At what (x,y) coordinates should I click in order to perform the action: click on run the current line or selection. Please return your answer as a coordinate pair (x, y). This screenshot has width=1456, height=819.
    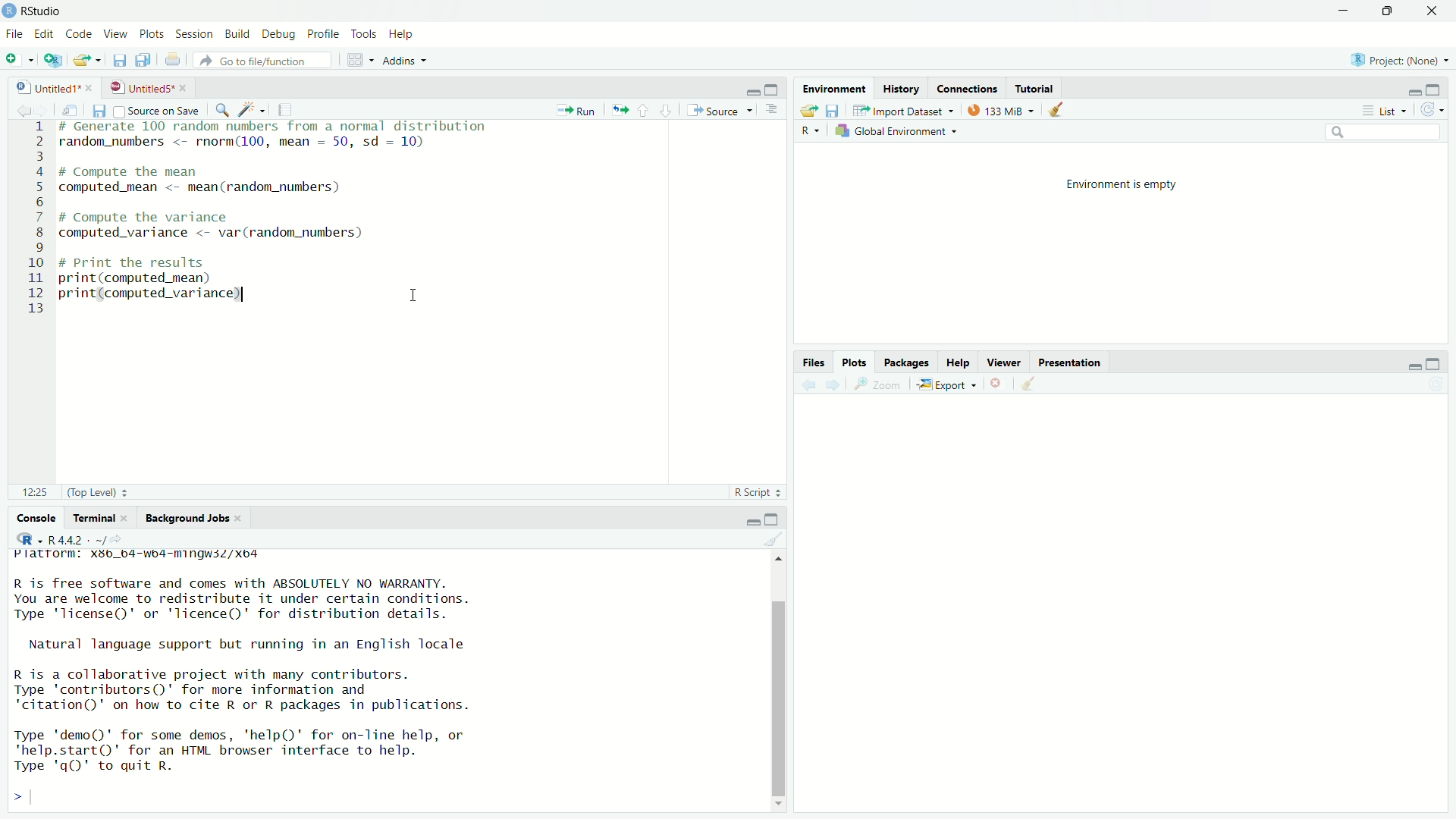
    Looking at the image, I should click on (578, 110).